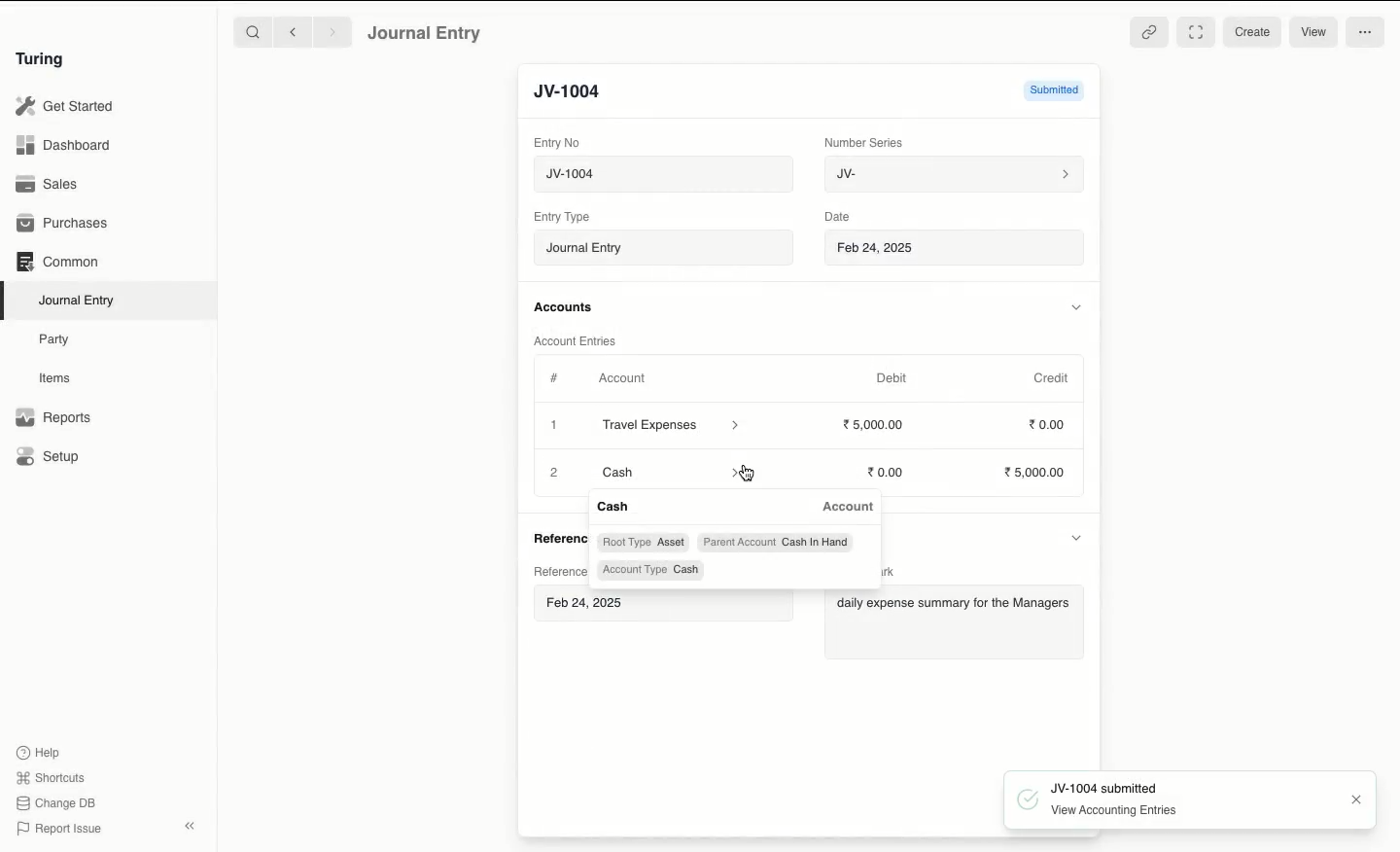  I want to click on Add, so click(555, 426).